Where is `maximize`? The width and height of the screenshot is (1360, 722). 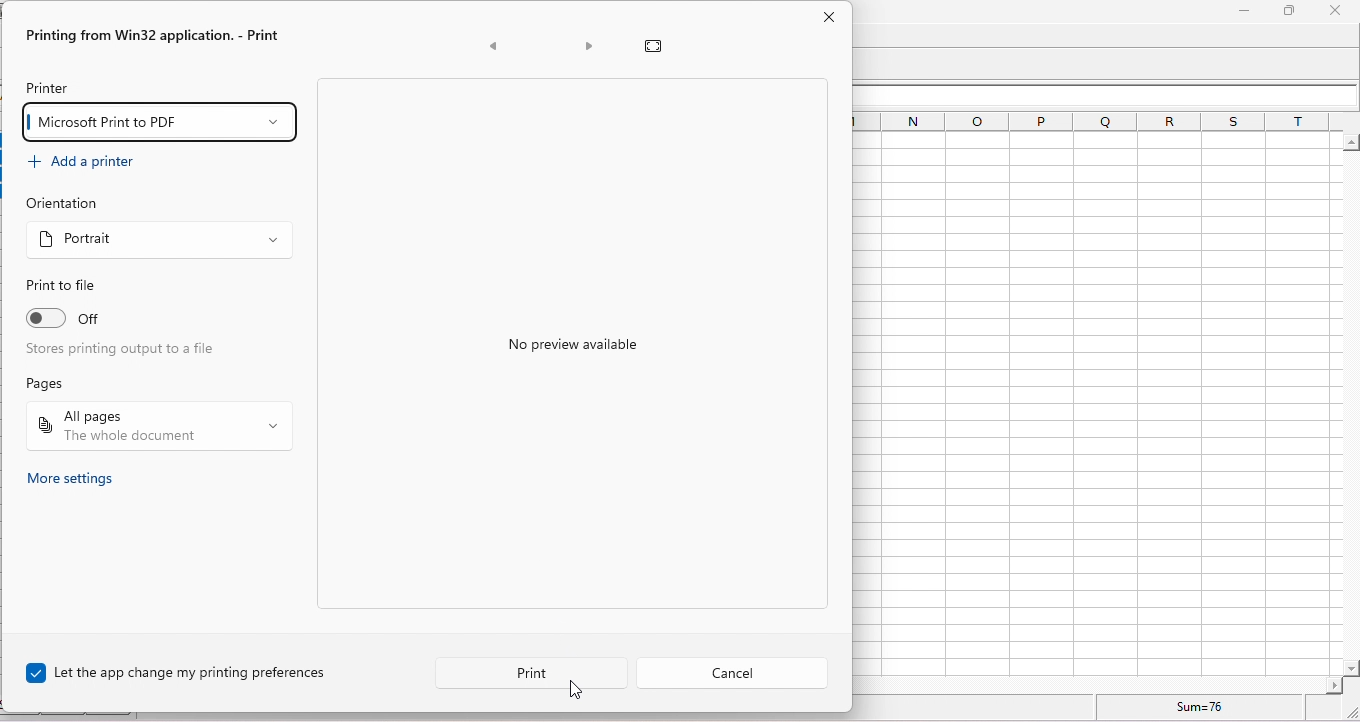
maximize is located at coordinates (1286, 11).